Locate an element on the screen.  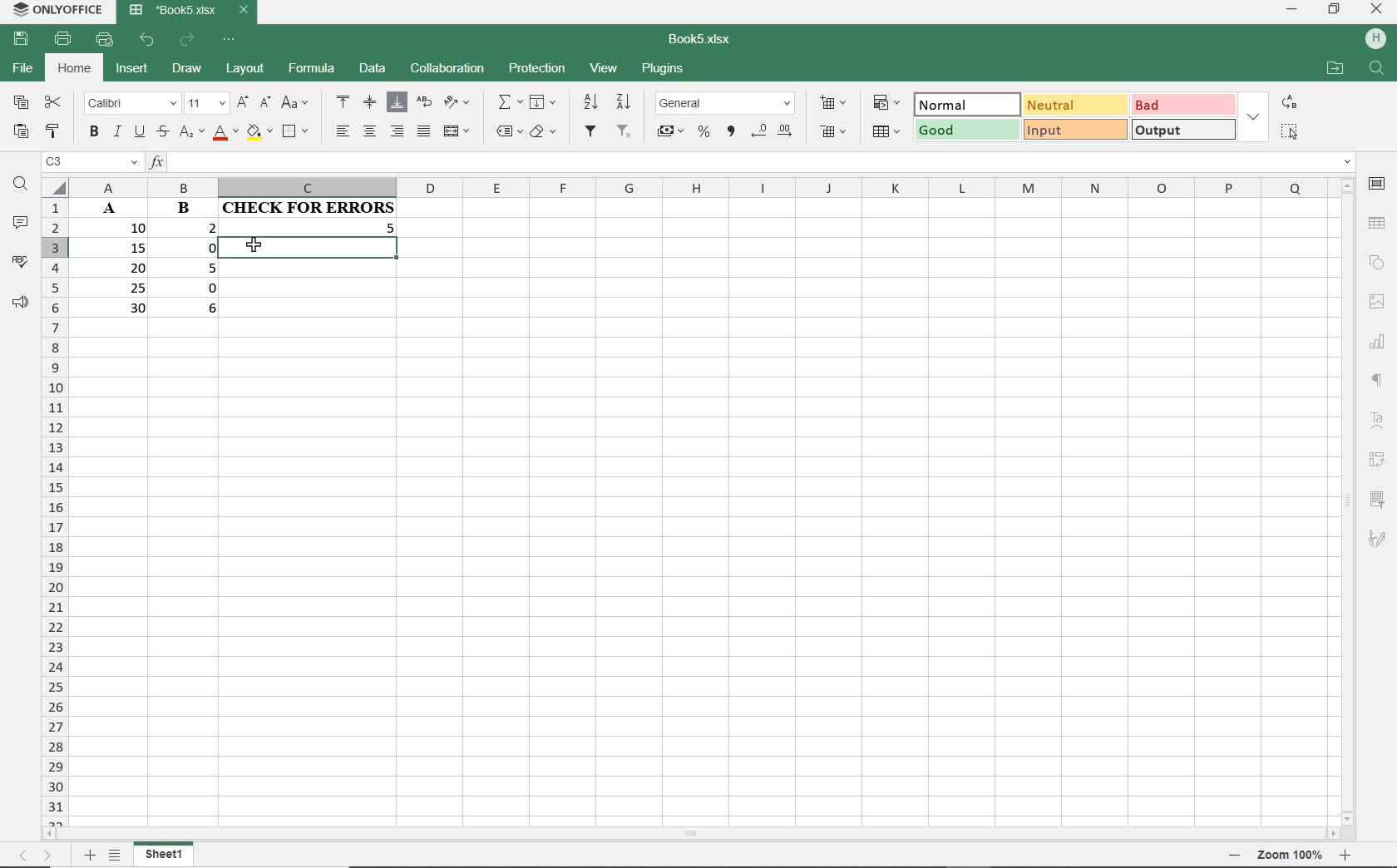
ALIGN TOP is located at coordinates (343, 101).